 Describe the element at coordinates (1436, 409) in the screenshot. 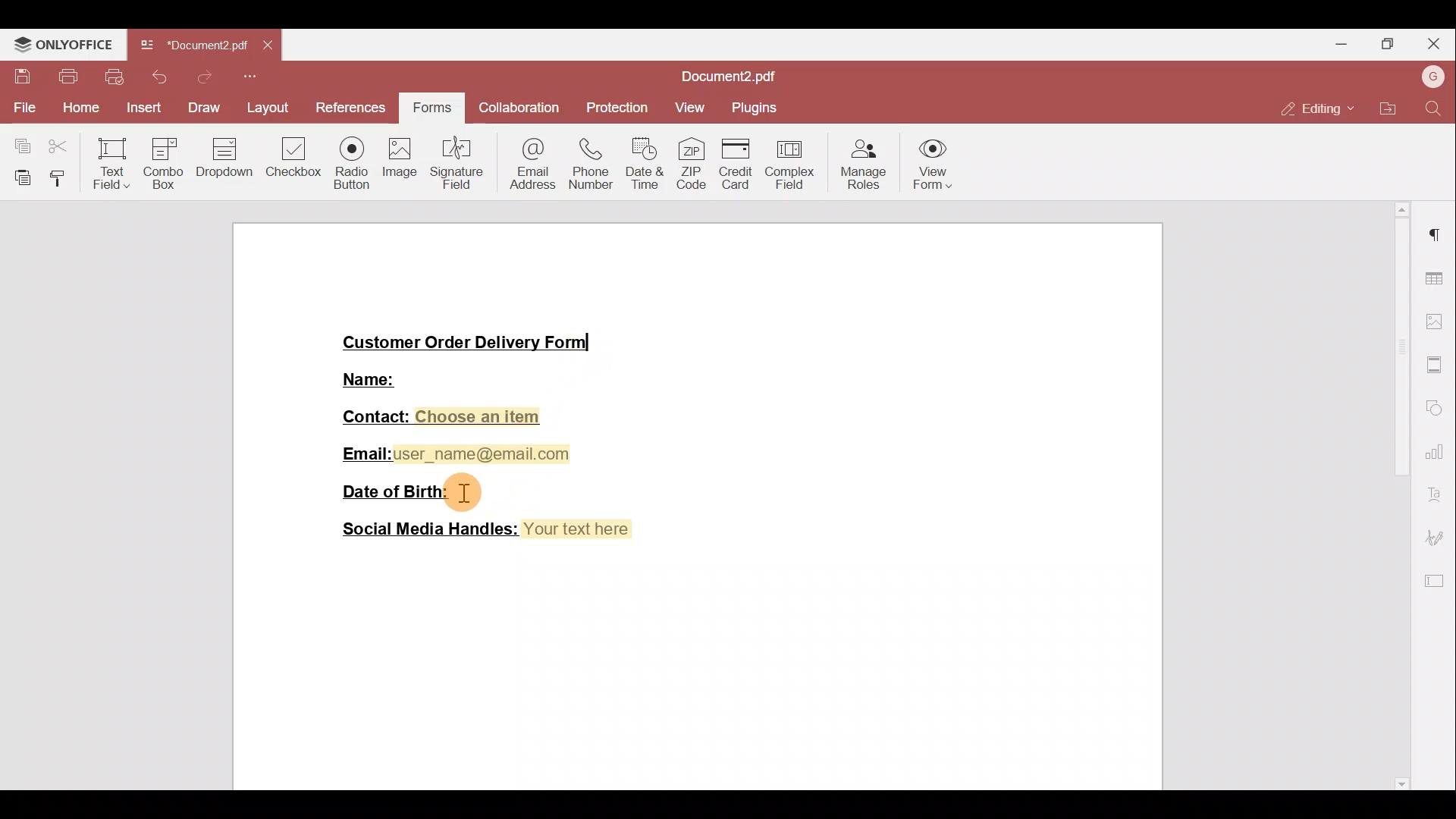

I see `Shapes settings` at that location.